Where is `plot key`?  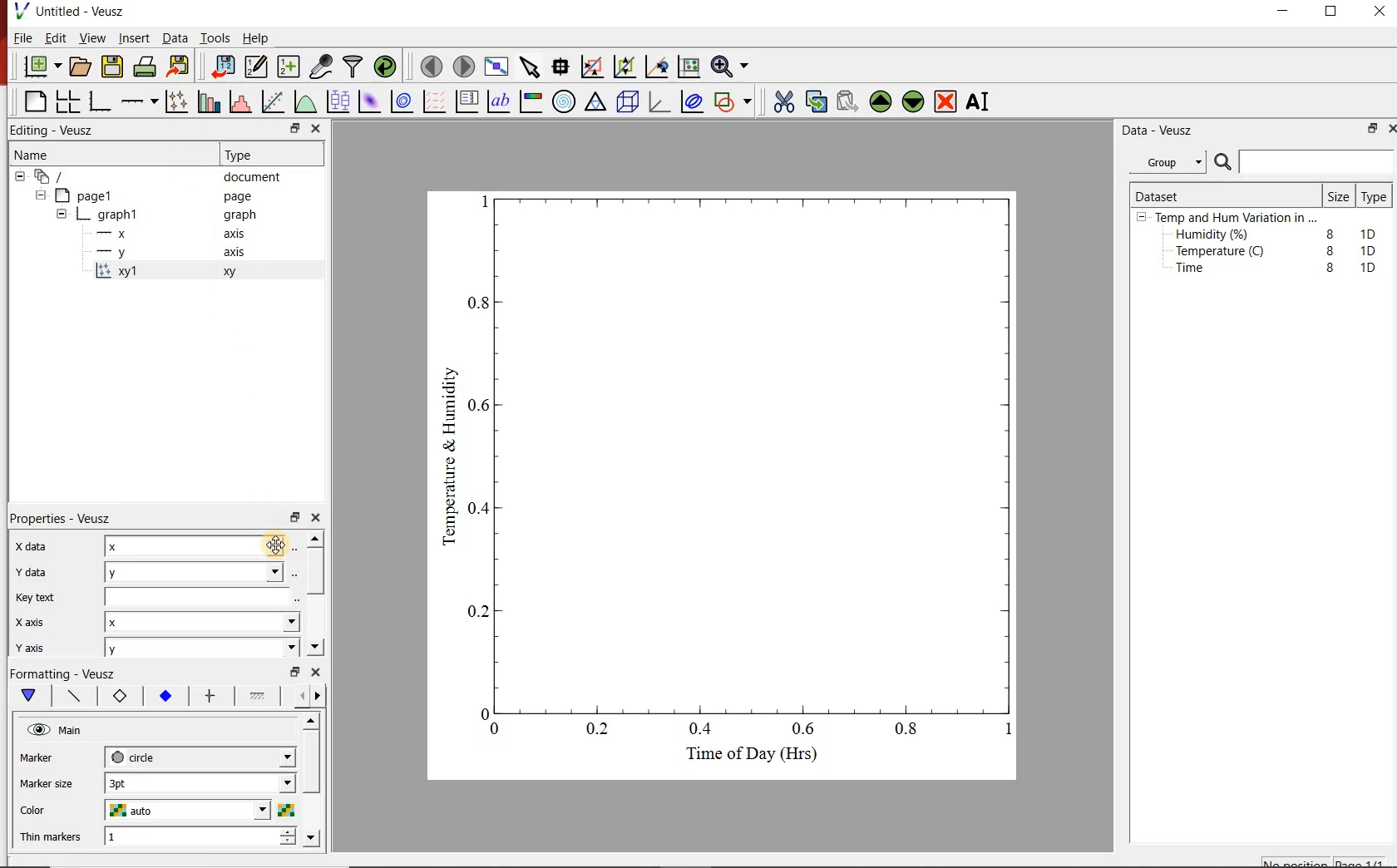
plot key is located at coordinates (470, 101).